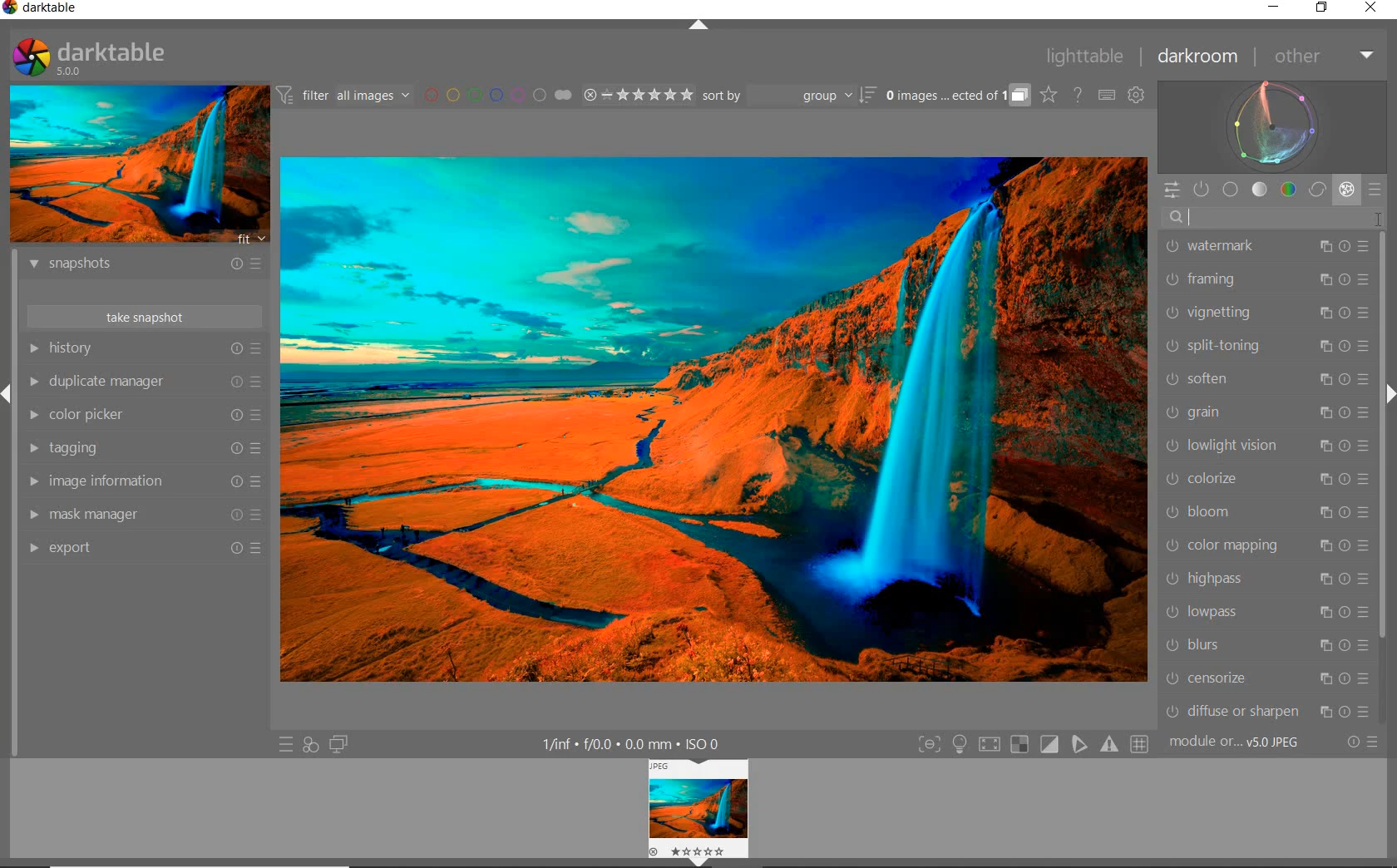 The height and width of the screenshot is (868, 1397). Describe the element at coordinates (1136, 95) in the screenshot. I see `SHOW GLOBAL PREFERENCES` at that location.